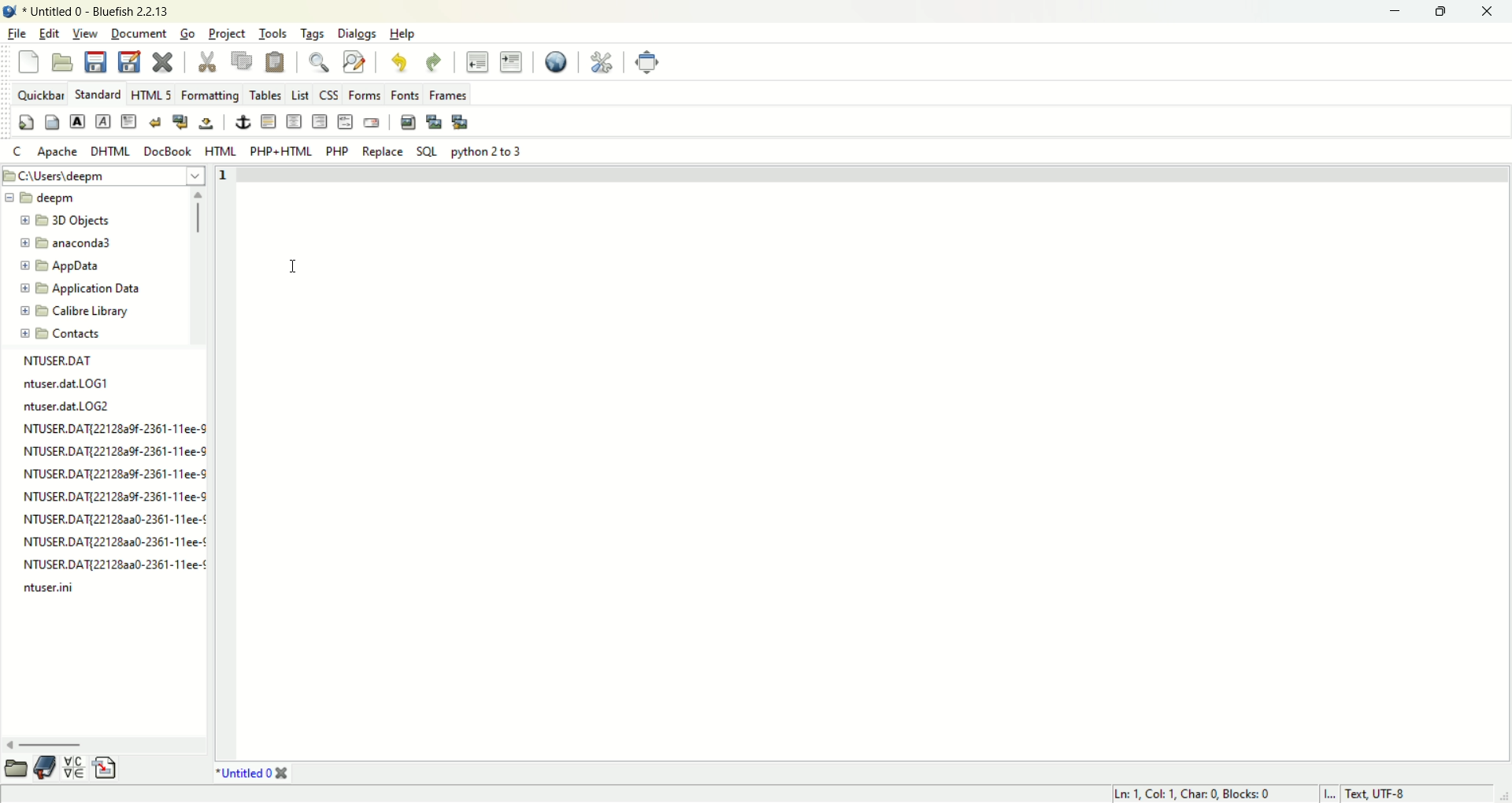 The height and width of the screenshot is (803, 1512). I want to click on NTUSER.DATI2212823a30-2361-11ee-¢, so click(116, 522).